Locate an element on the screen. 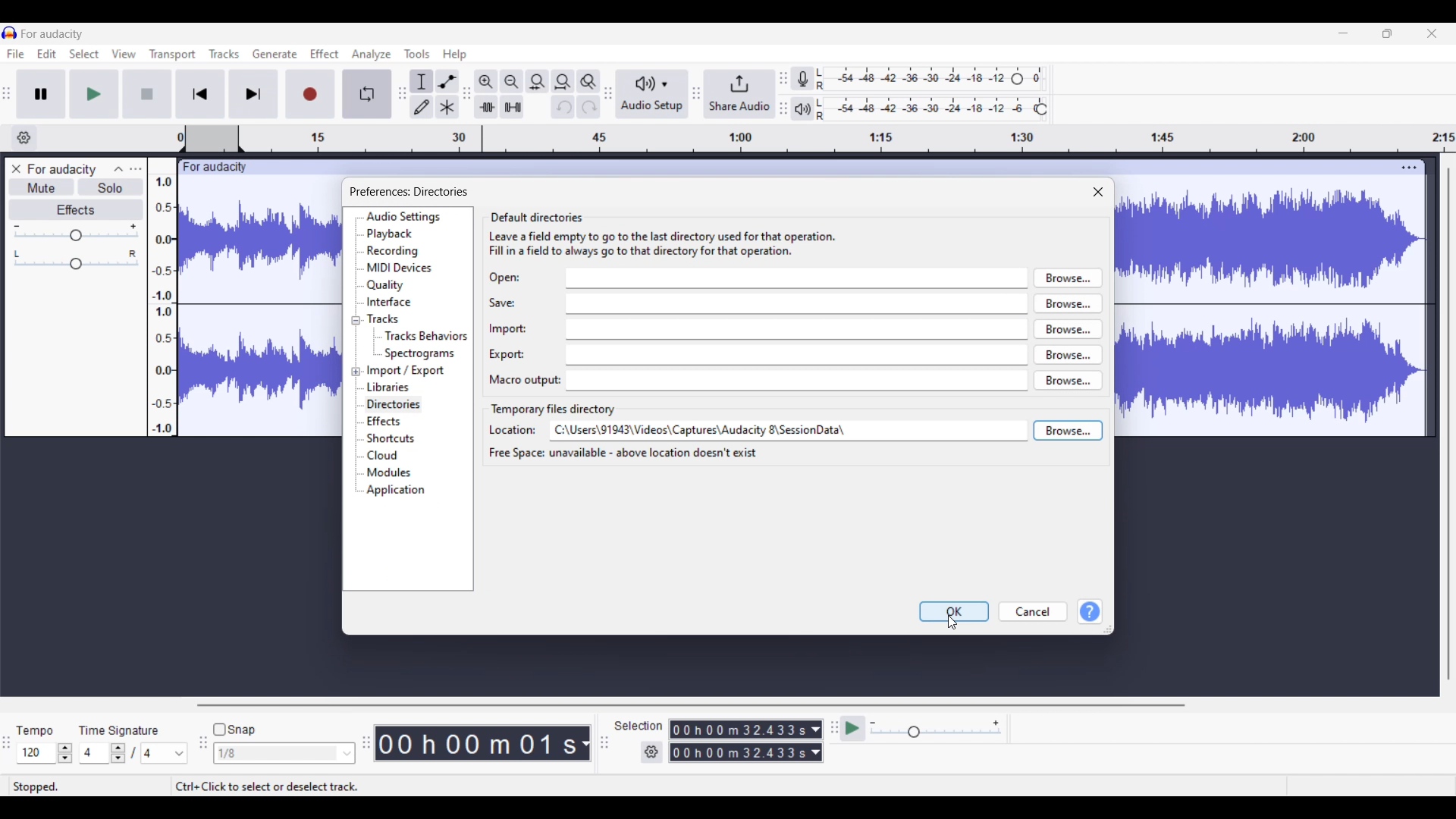 The width and height of the screenshot is (1456, 819). Zoom in is located at coordinates (486, 82).